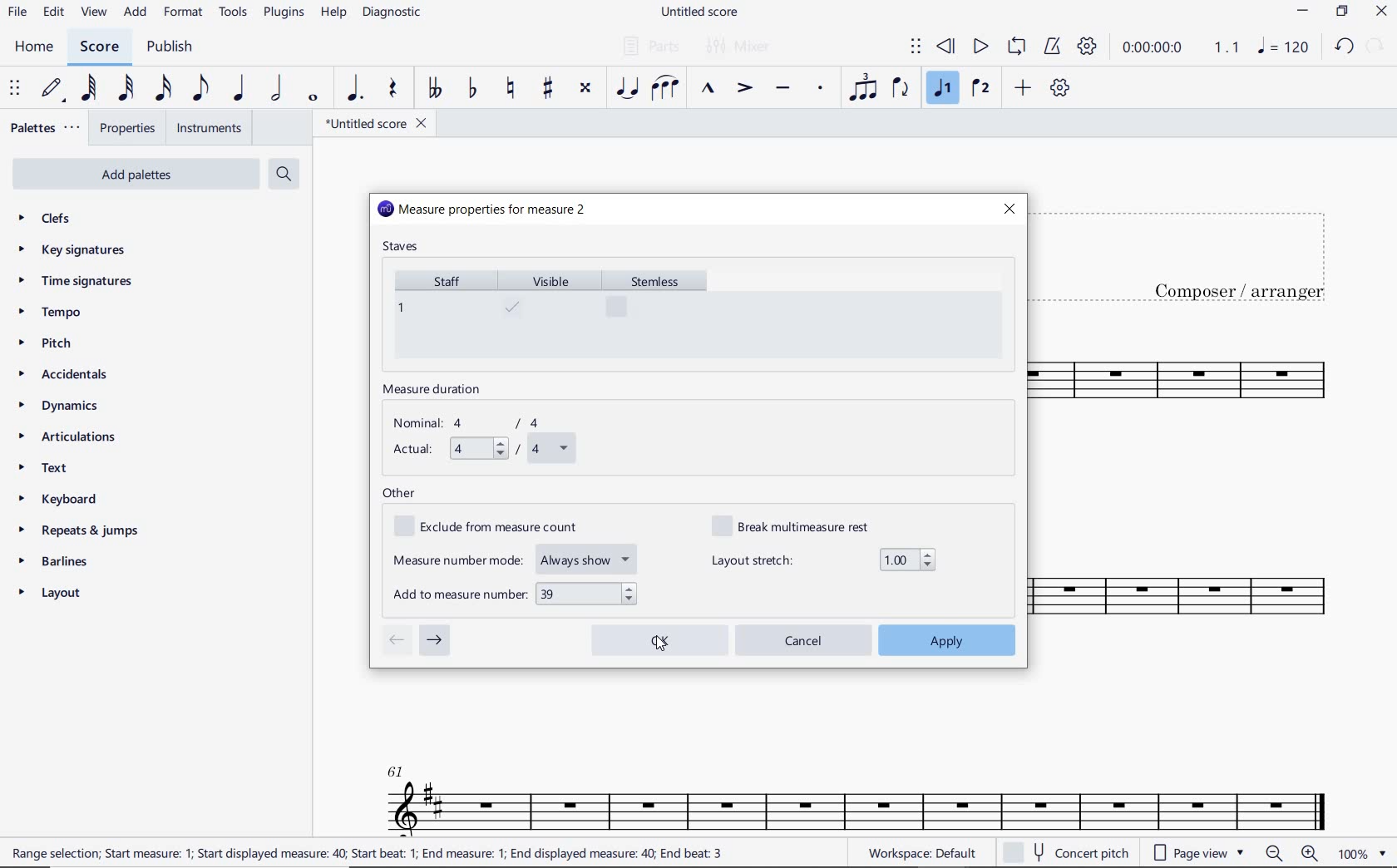 The image size is (1397, 868). Describe the element at coordinates (68, 438) in the screenshot. I see `ARTICULATIONS` at that location.